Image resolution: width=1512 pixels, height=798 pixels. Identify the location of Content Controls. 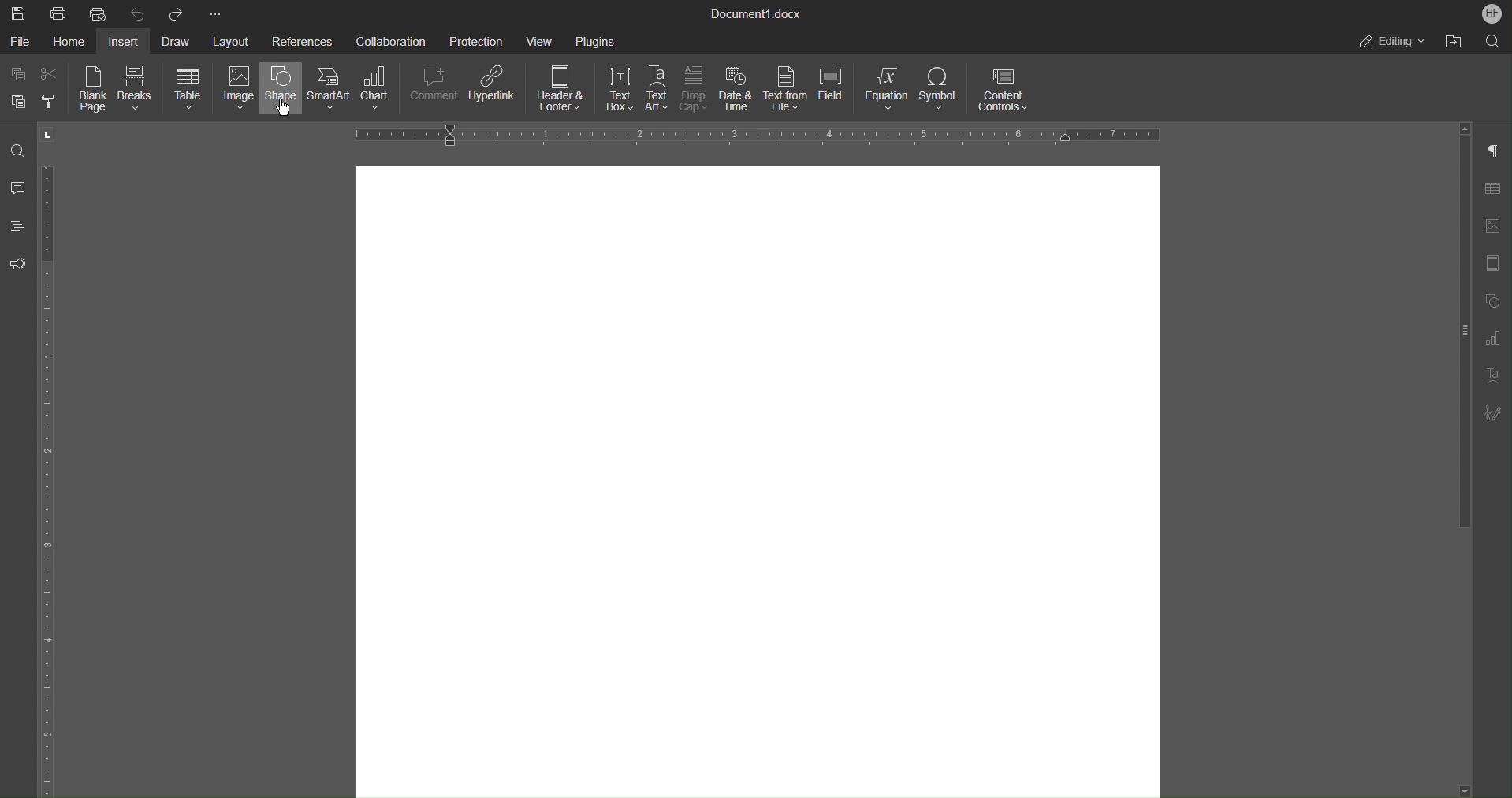
(1001, 91).